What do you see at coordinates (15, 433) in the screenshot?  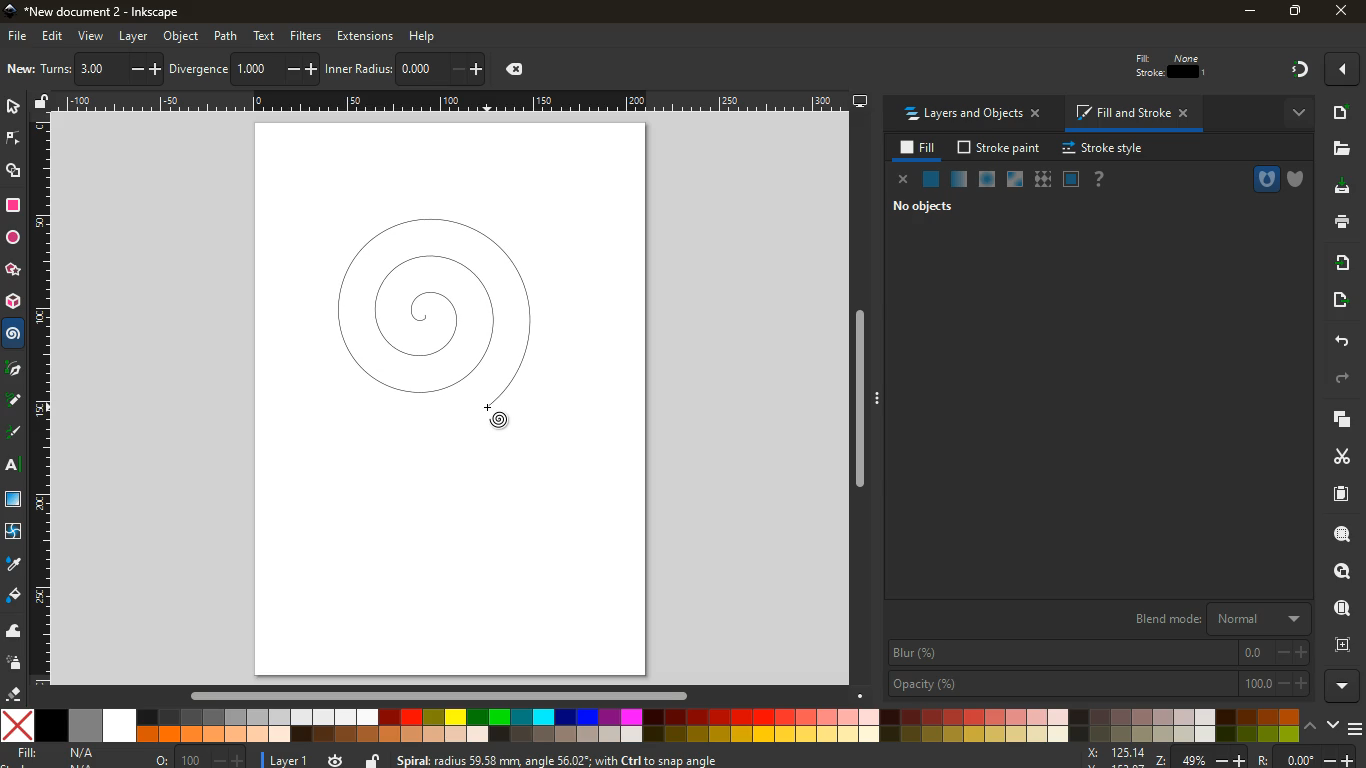 I see `r` at bounding box center [15, 433].